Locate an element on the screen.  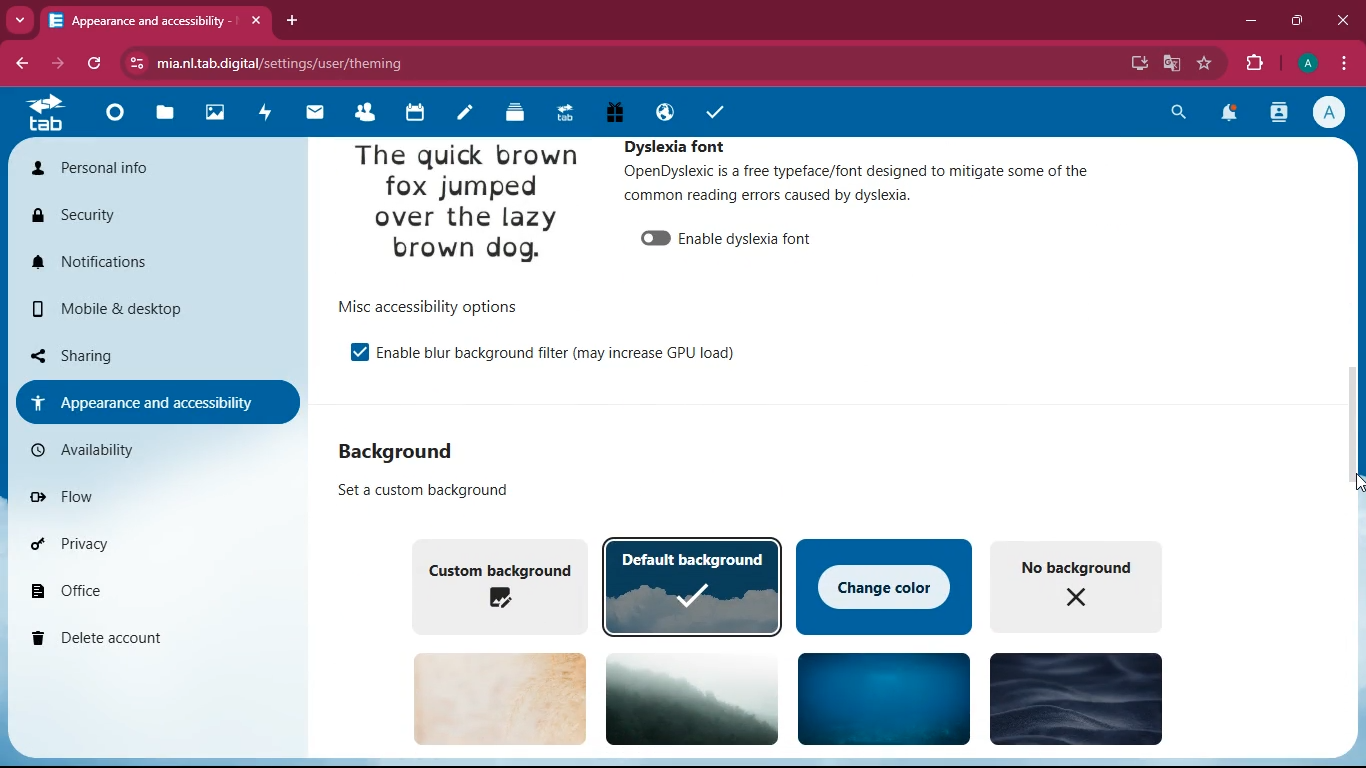
background is located at coordinates (884, 697).